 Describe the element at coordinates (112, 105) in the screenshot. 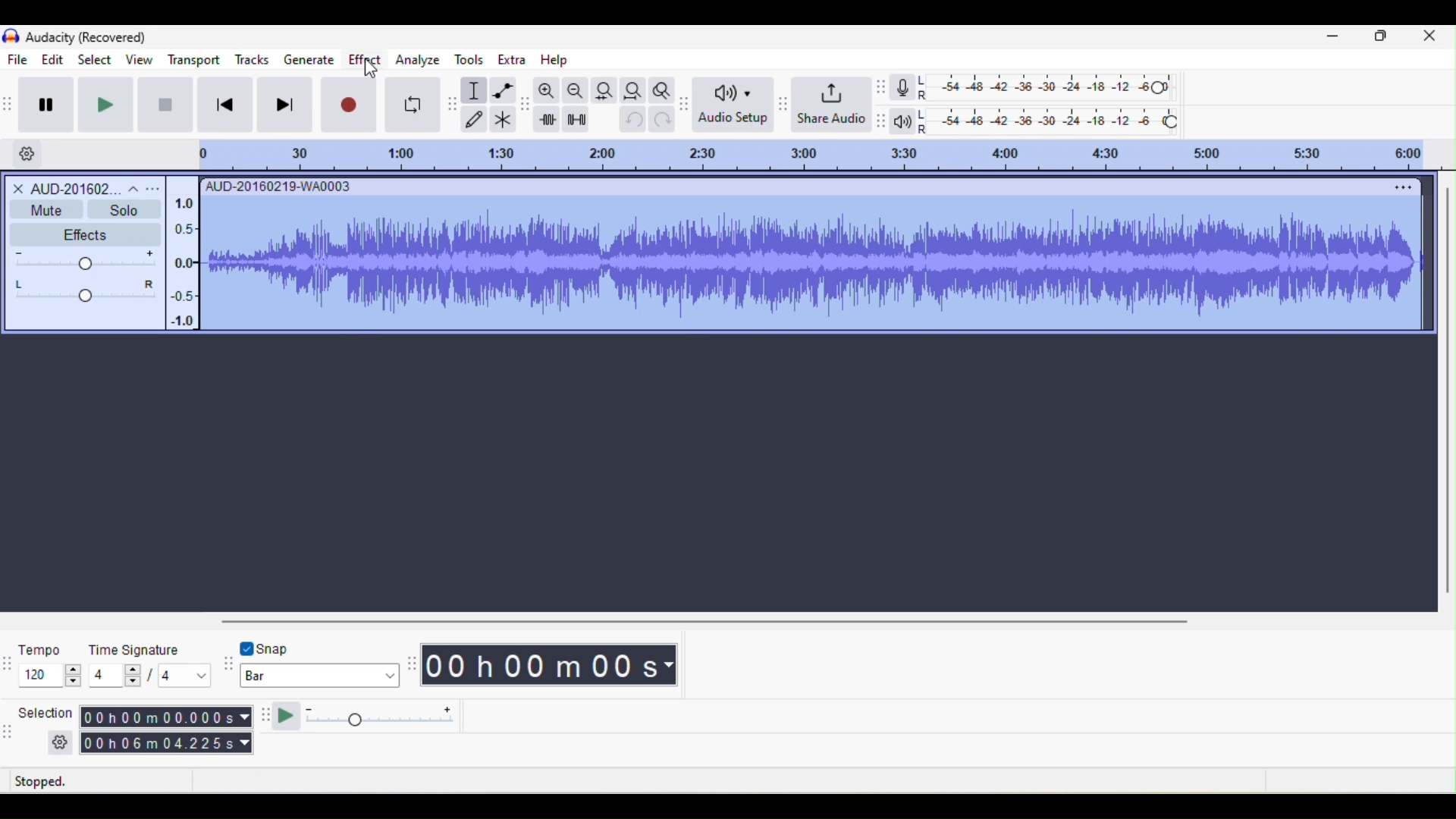

I see `play` at that location.